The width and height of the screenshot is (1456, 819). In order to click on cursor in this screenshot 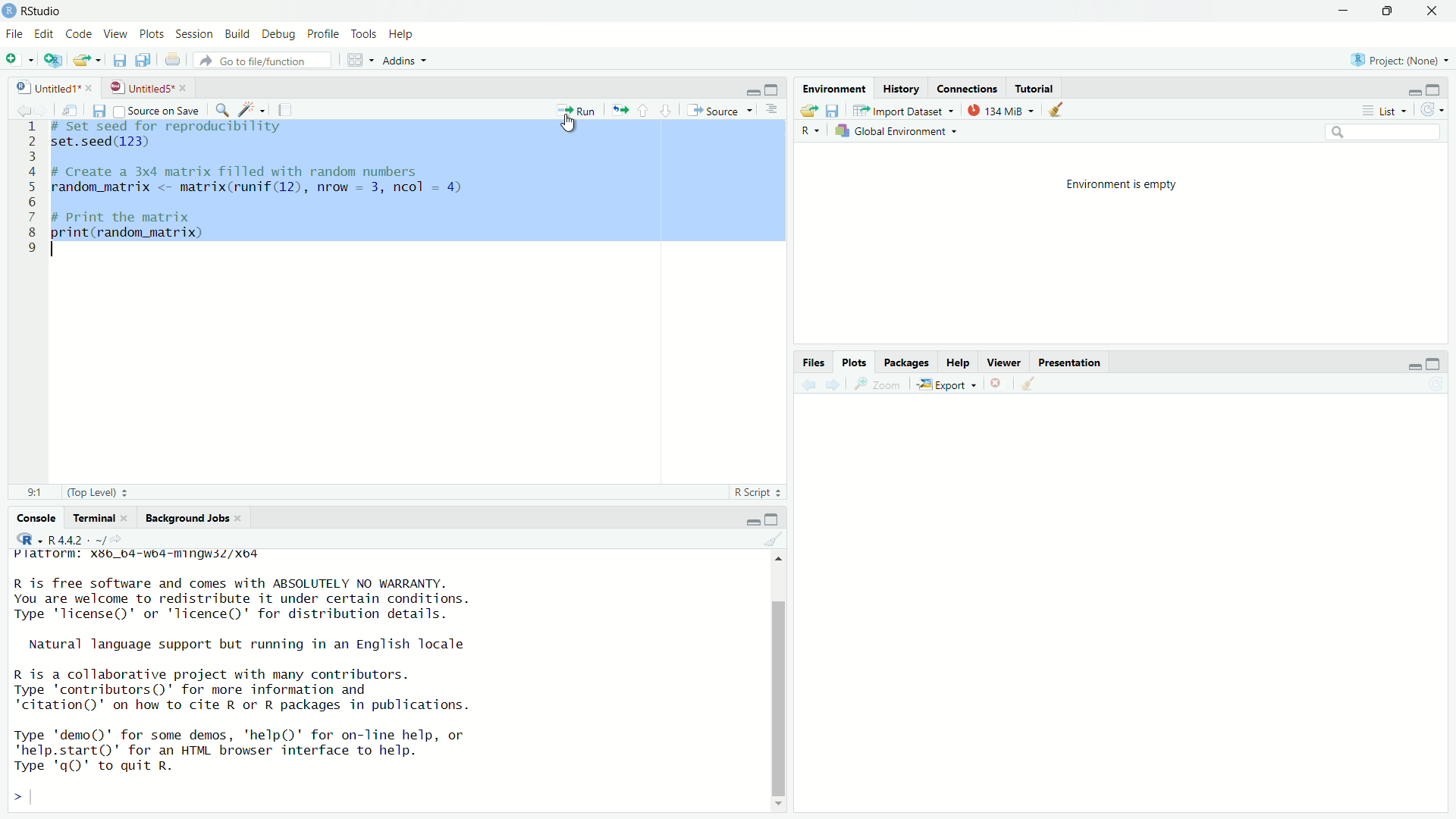, I will do `click(572, 124)`.